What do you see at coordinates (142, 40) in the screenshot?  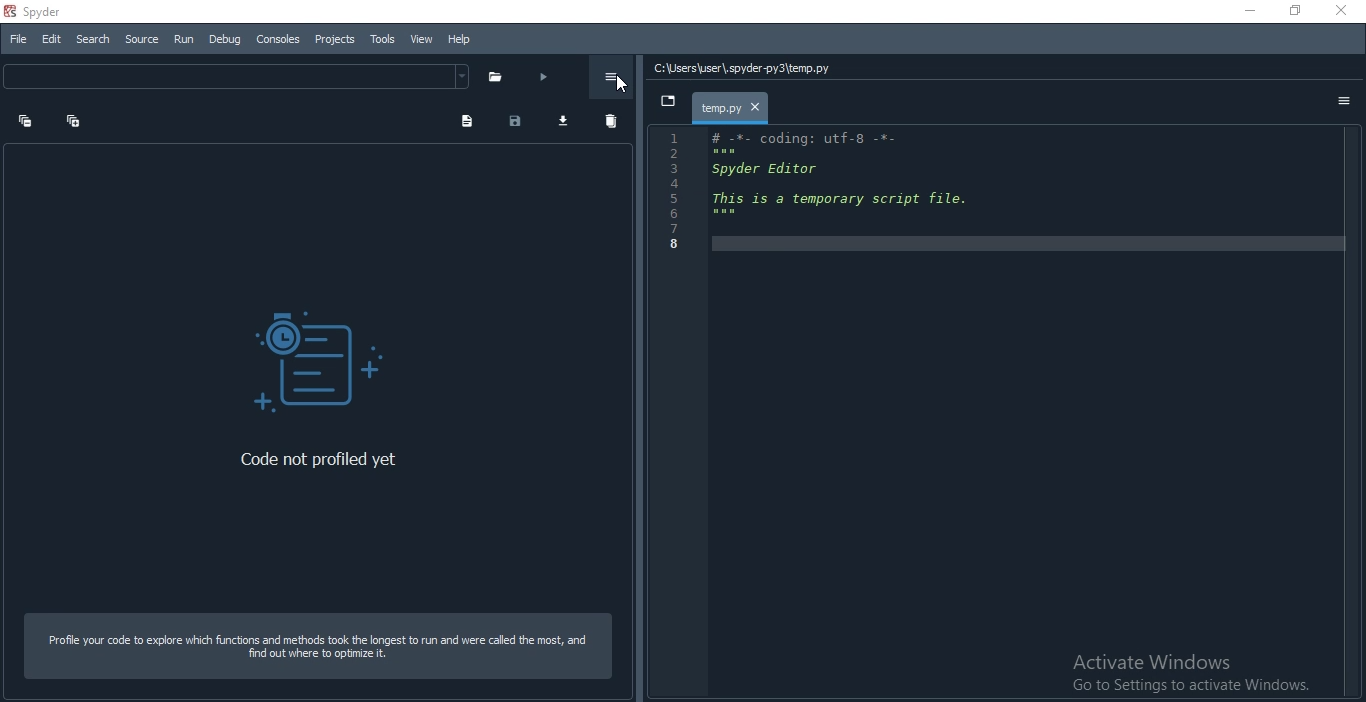 I see `Source` at bounding box center [142, 40].